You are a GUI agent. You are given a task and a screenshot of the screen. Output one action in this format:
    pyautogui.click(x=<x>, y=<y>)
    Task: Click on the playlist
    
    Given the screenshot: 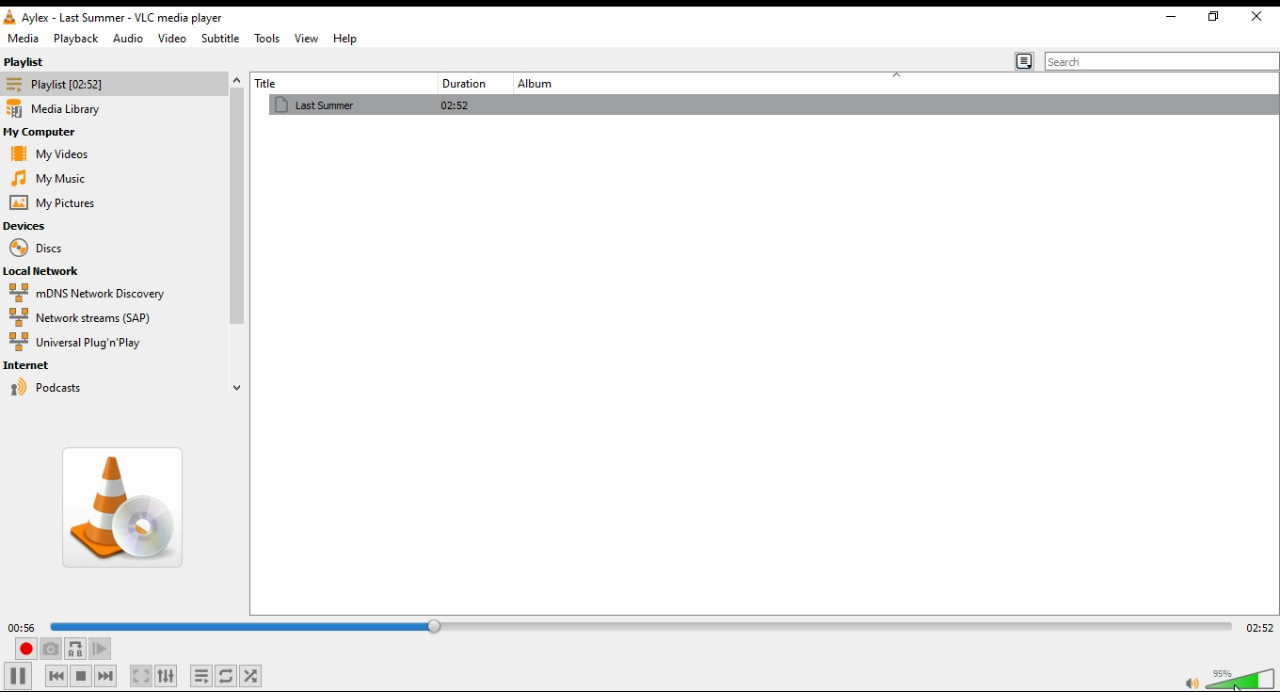 What is the action you would take?
    pyautogui.click(x=44, y=62)
    